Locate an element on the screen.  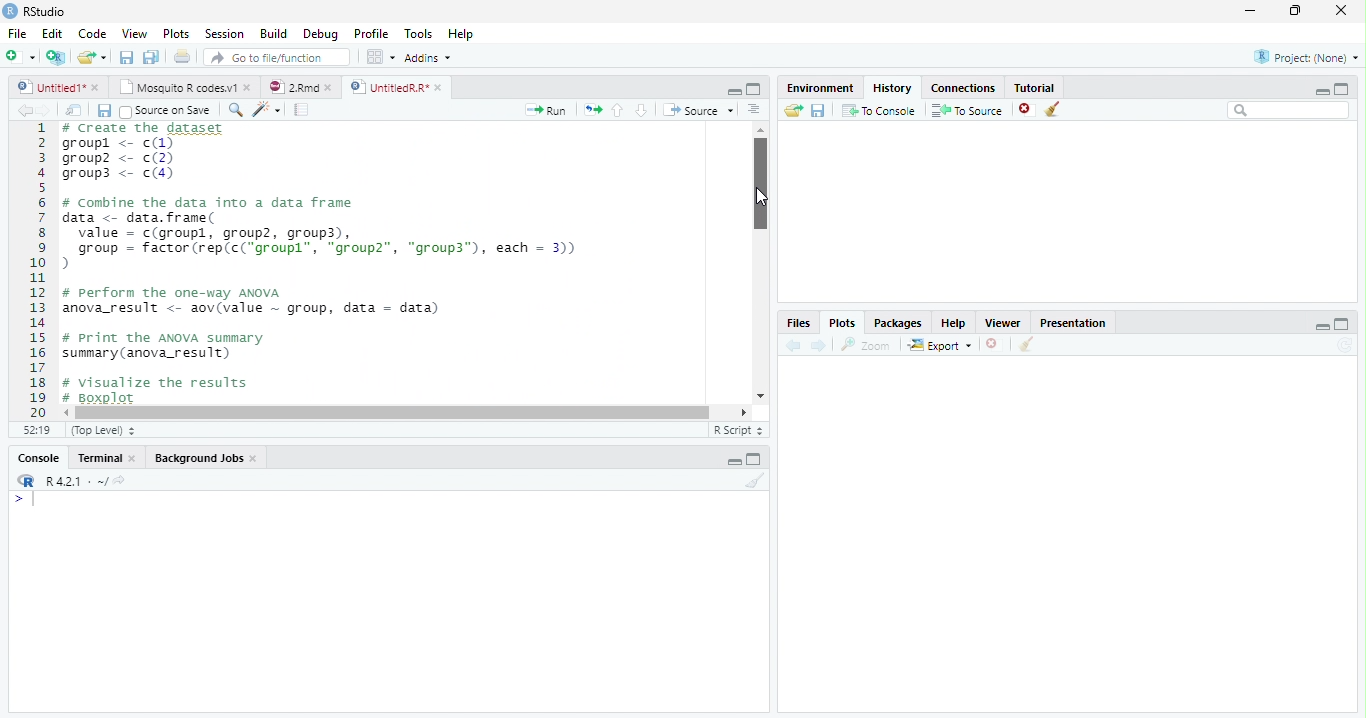
Packages is located at coordinates (900, 323).